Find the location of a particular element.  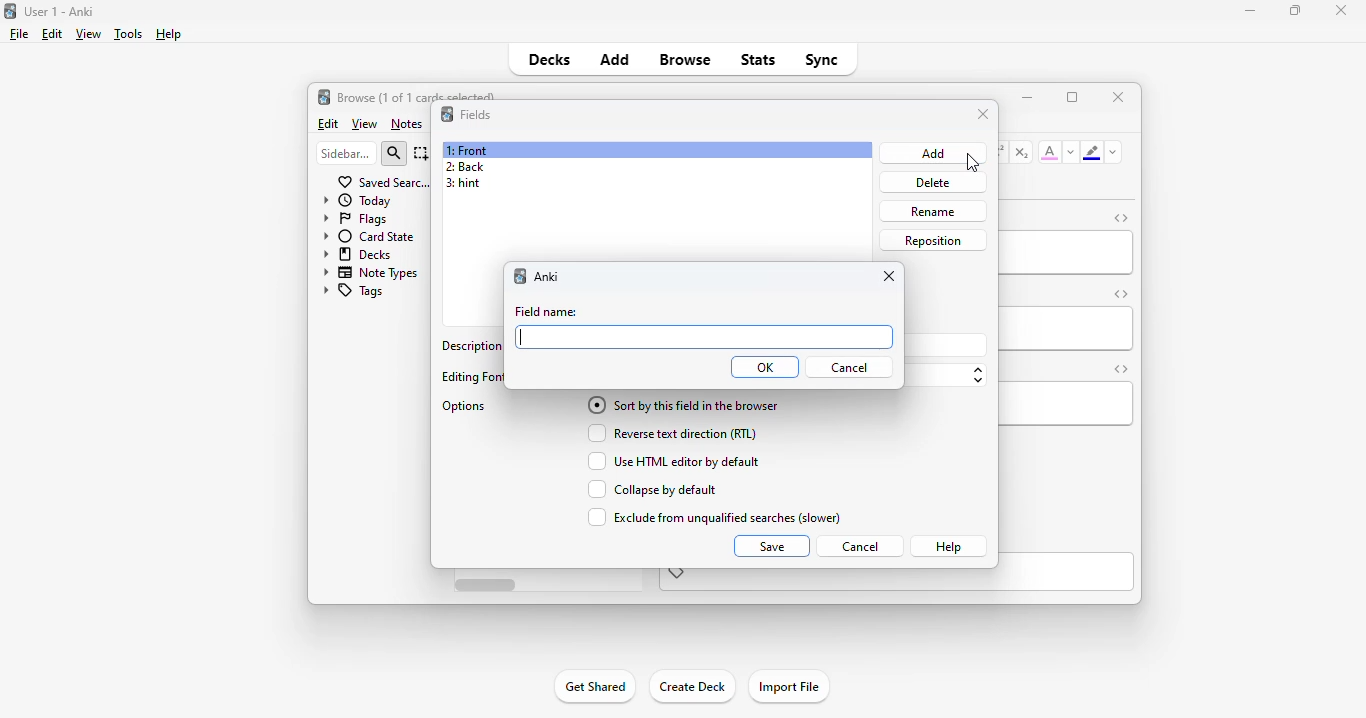

rename is located at coordinates (932, 211).